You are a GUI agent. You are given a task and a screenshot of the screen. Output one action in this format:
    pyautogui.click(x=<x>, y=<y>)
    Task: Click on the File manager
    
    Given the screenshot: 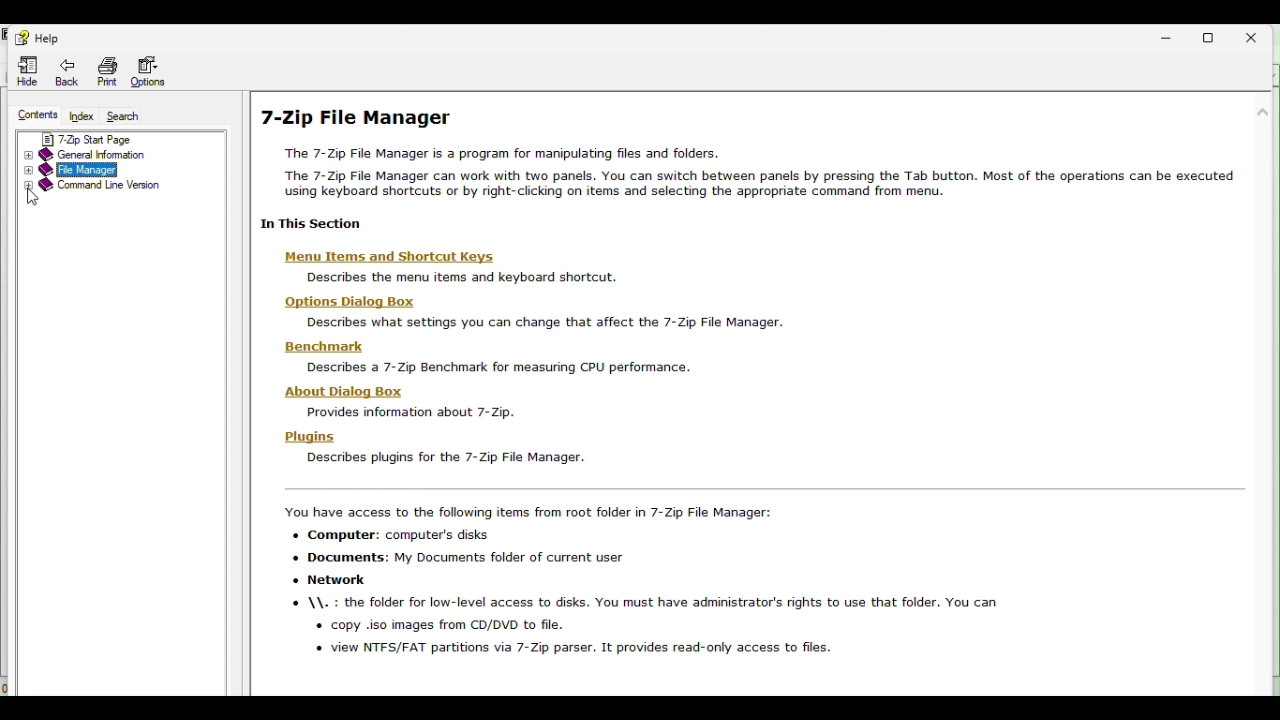 What is the action you would take?
    pyautogui.click(x=89, y=172)
    